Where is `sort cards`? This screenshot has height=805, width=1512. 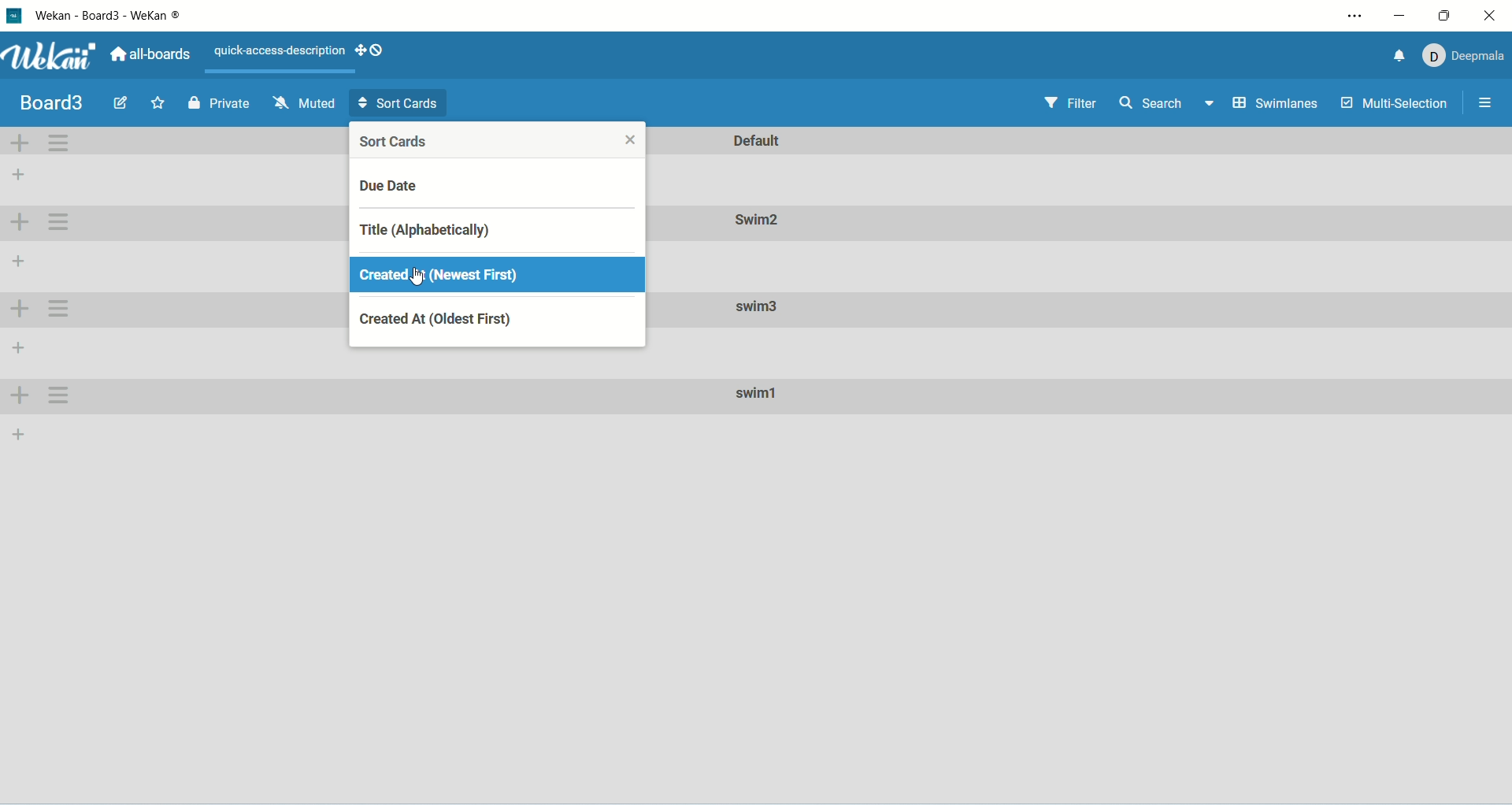
sort cards is located at coordinates (395, 143).